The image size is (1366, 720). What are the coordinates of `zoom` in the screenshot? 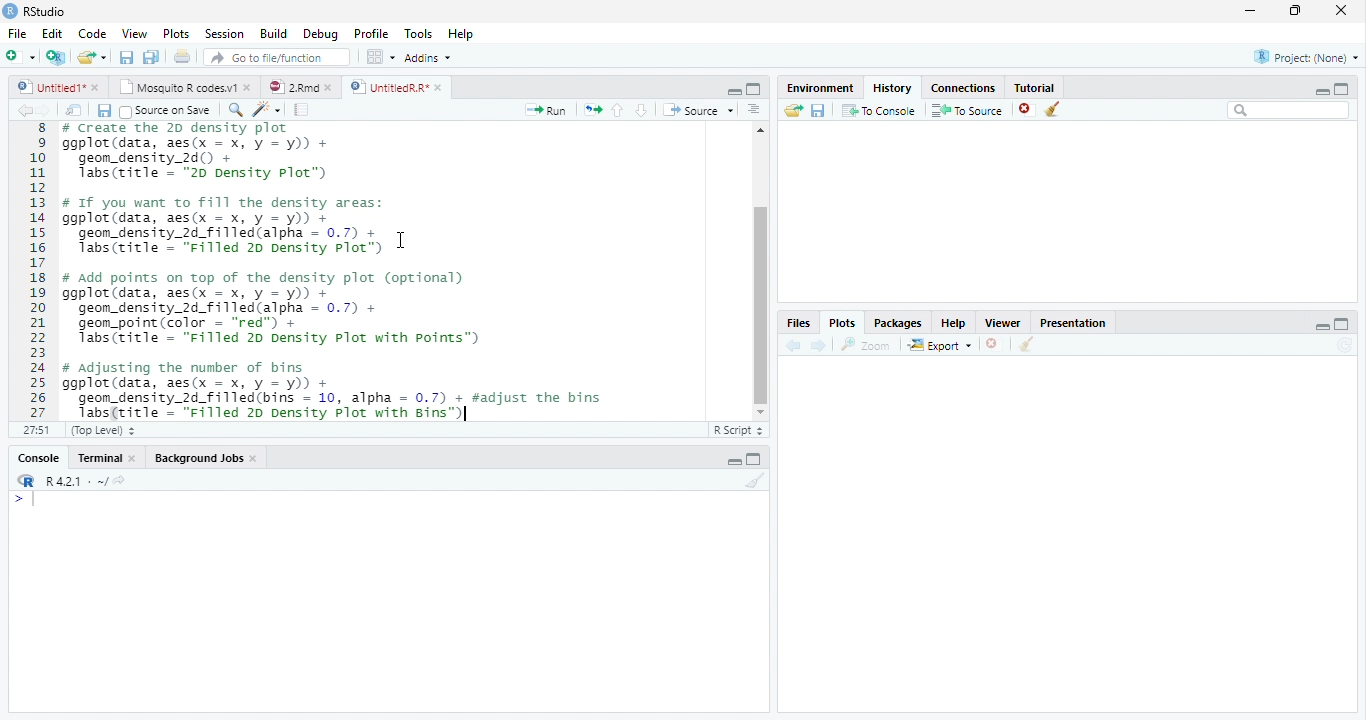 It's located at (869, 346).